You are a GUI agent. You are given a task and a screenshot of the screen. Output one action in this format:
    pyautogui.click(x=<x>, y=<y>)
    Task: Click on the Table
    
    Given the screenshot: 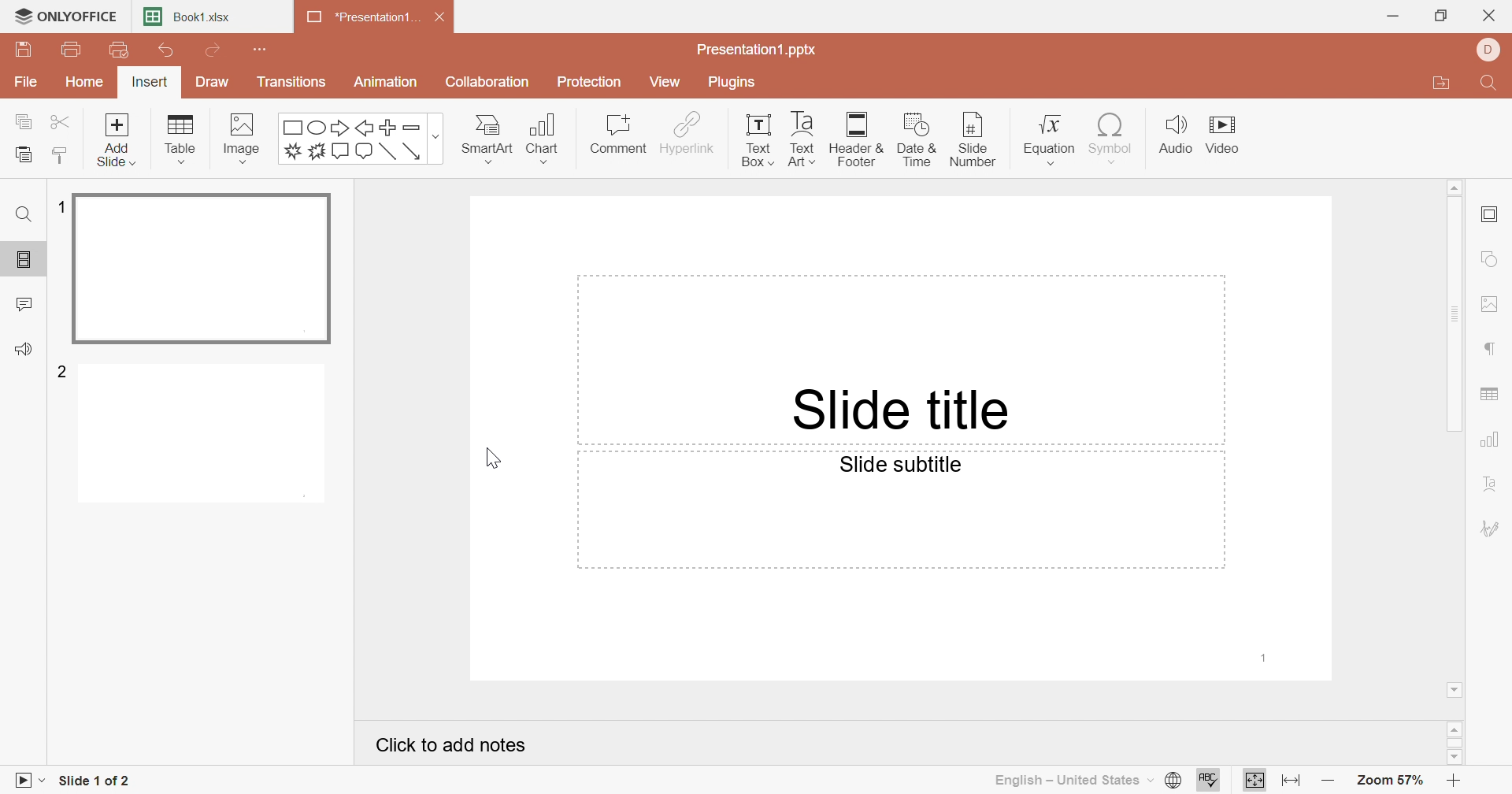 What is the action you would take?
    pyautogui.click(x=182, y=139)
    